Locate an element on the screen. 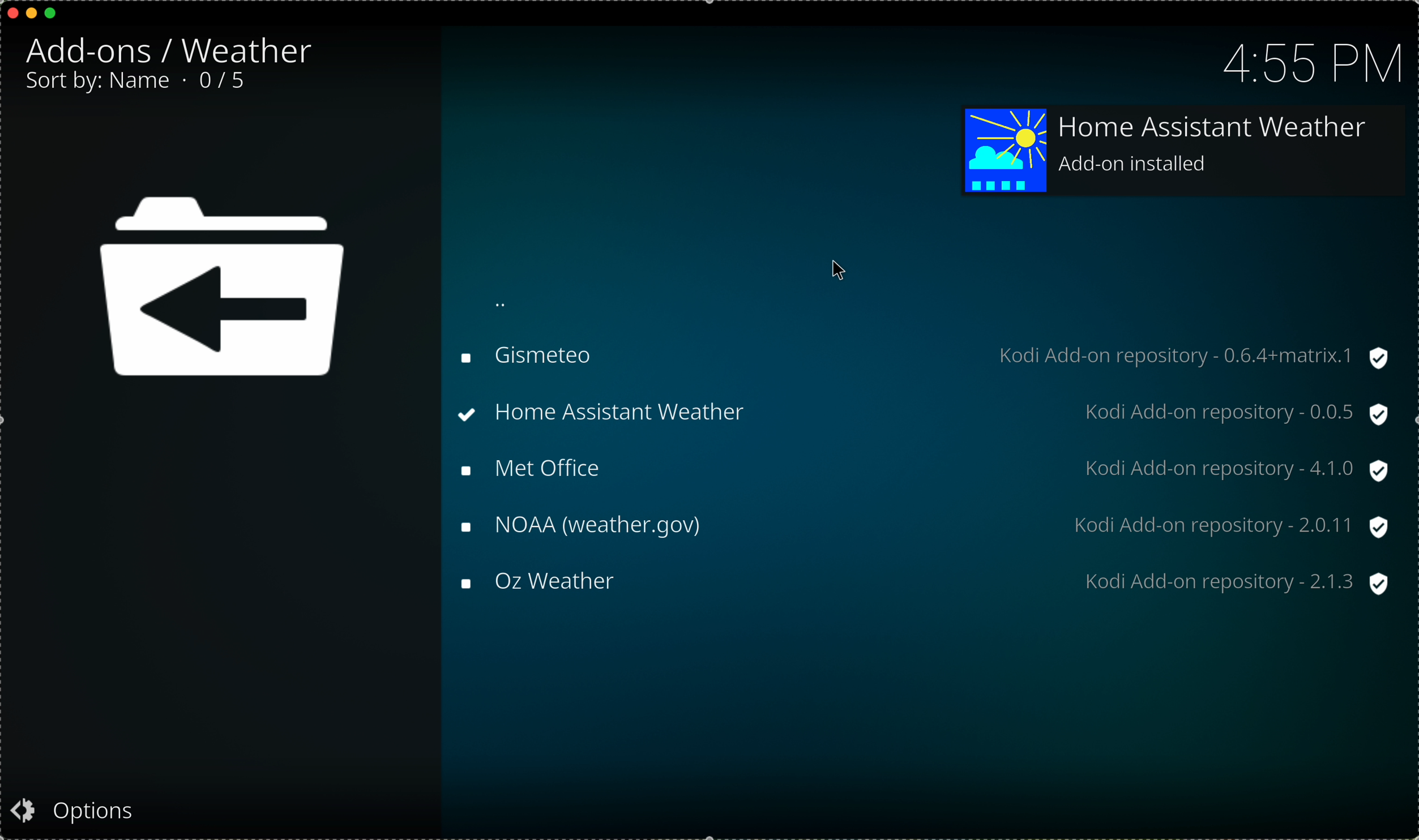  minimize is located at coordinates (33, 13).